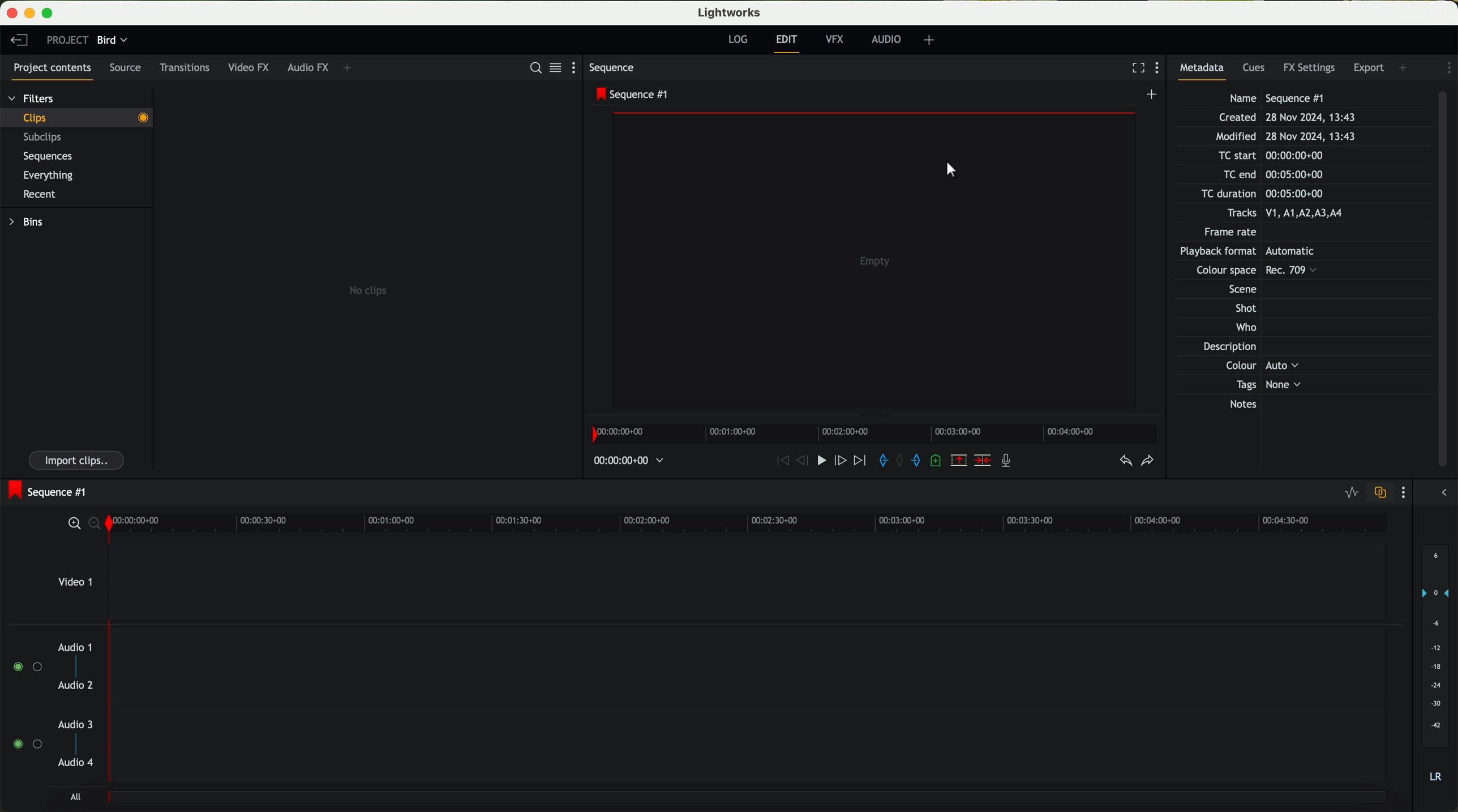 This screenshot has height=812, width=1458. I want to click on Frame Rate, so click(1274, 231).